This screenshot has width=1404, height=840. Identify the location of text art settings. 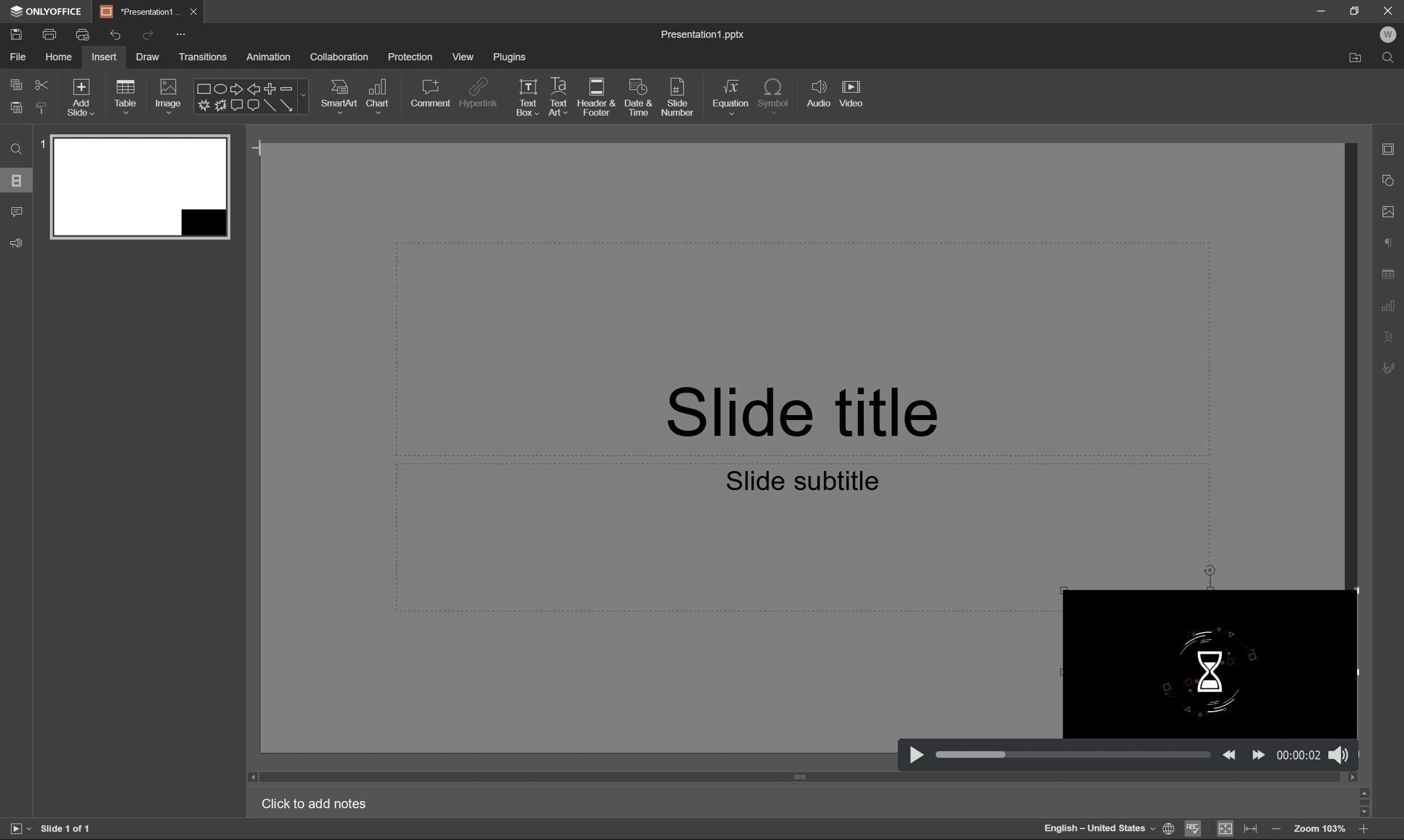
(1392, 337).